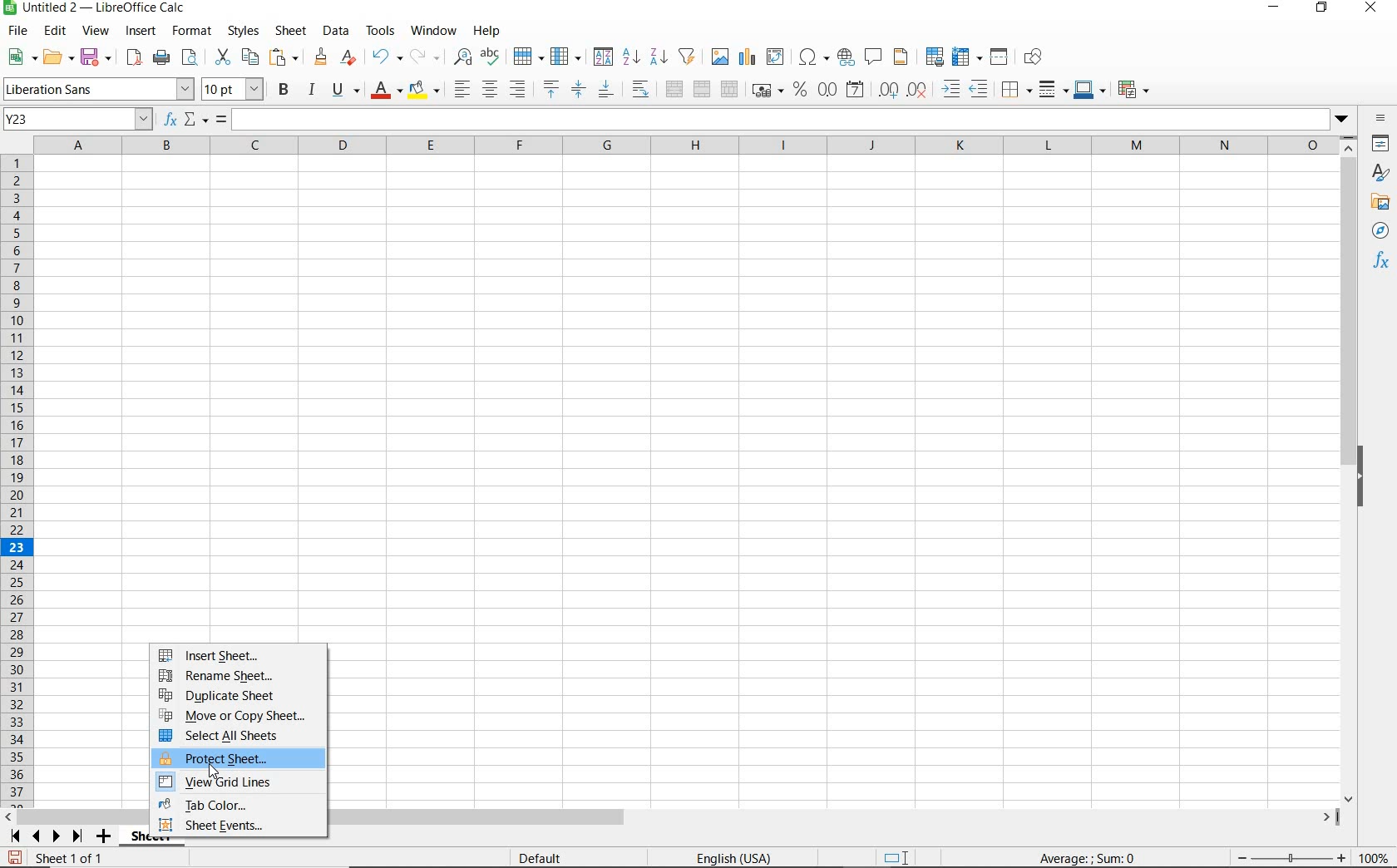  Describe the element at coordinates (1370, 474) in the screenshot. I see `HIDE` at that location.